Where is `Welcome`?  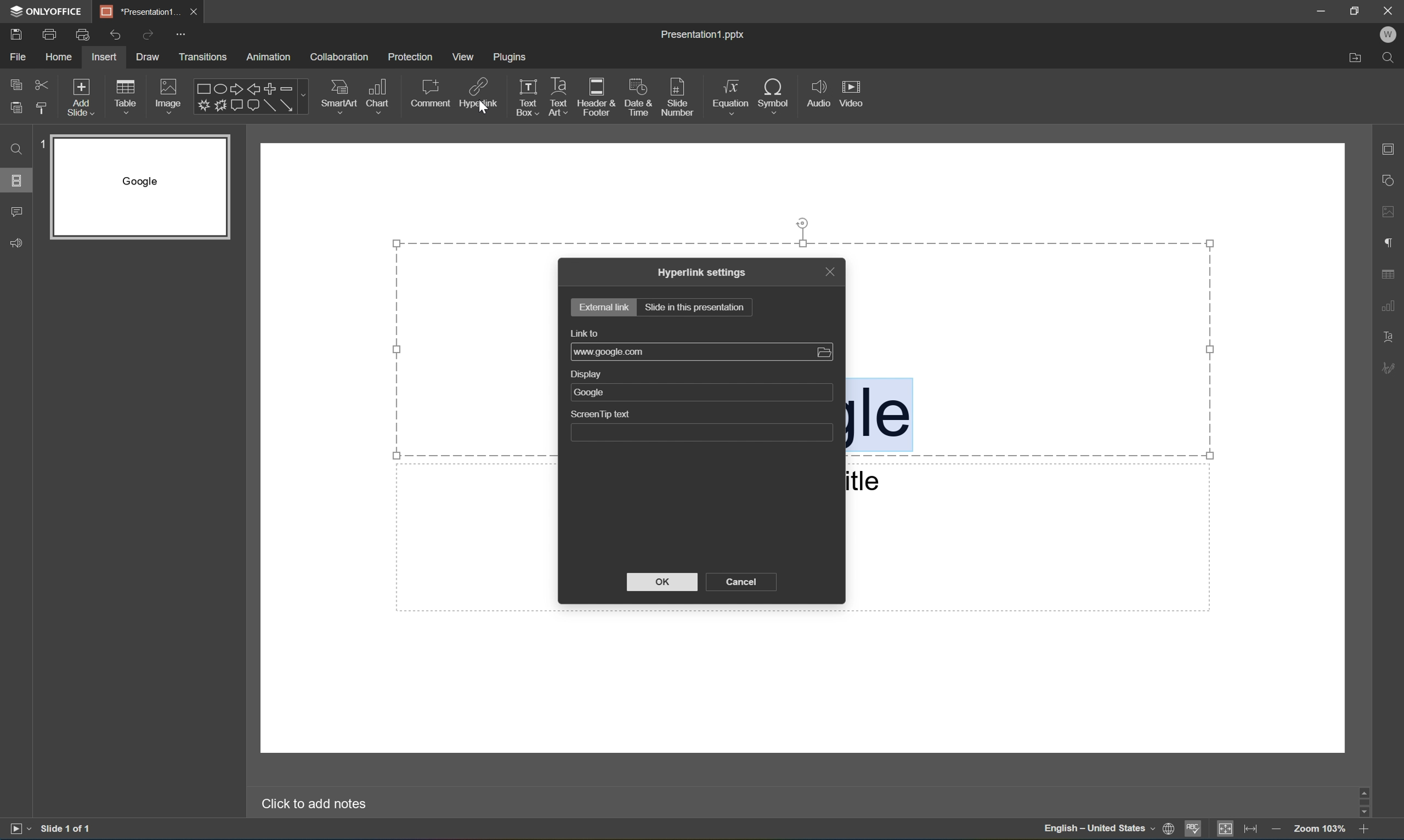 Welcome is located at coordinates (1388, 35).